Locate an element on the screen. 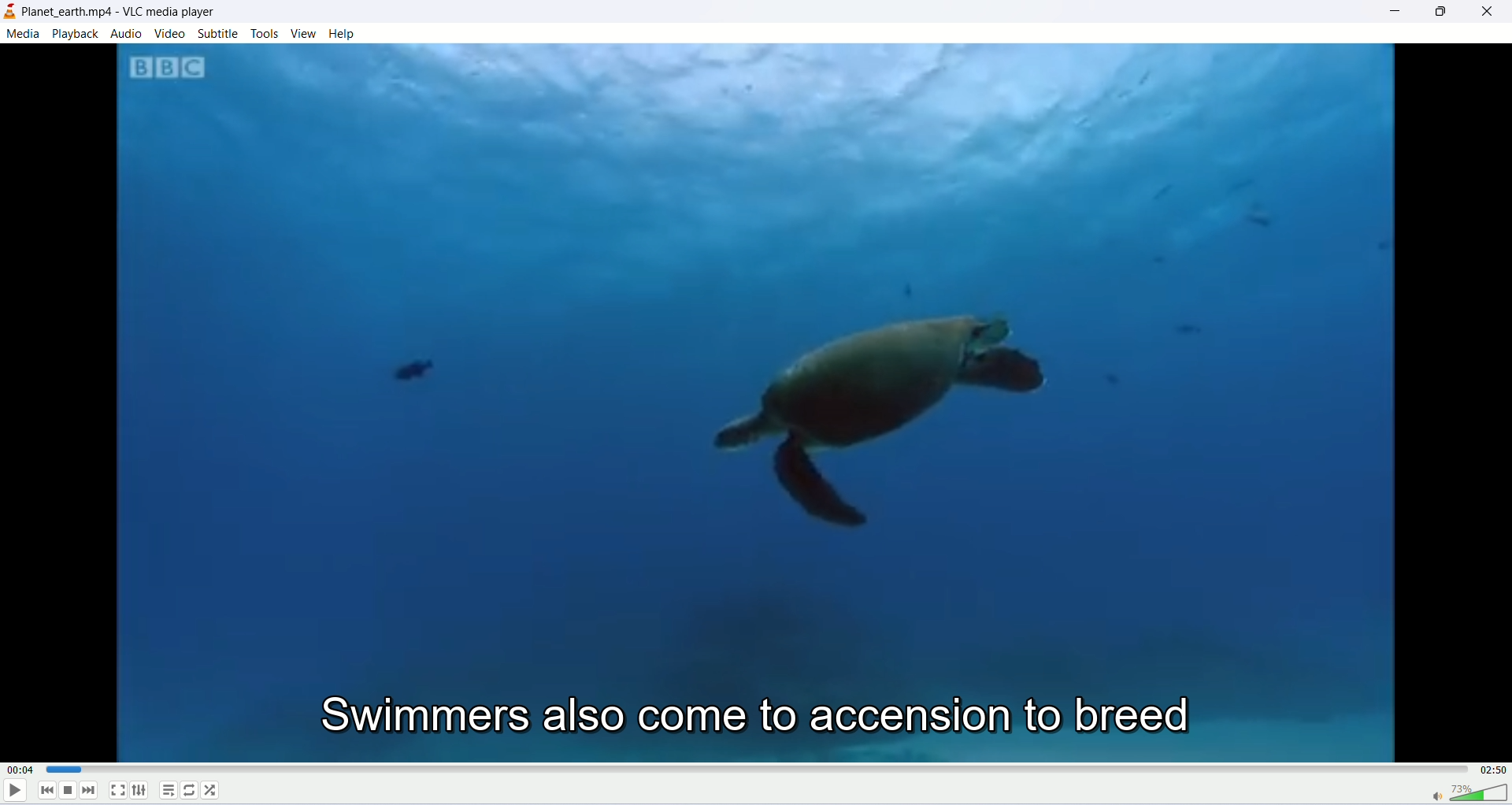  audio is located at coordinates (124, 35).